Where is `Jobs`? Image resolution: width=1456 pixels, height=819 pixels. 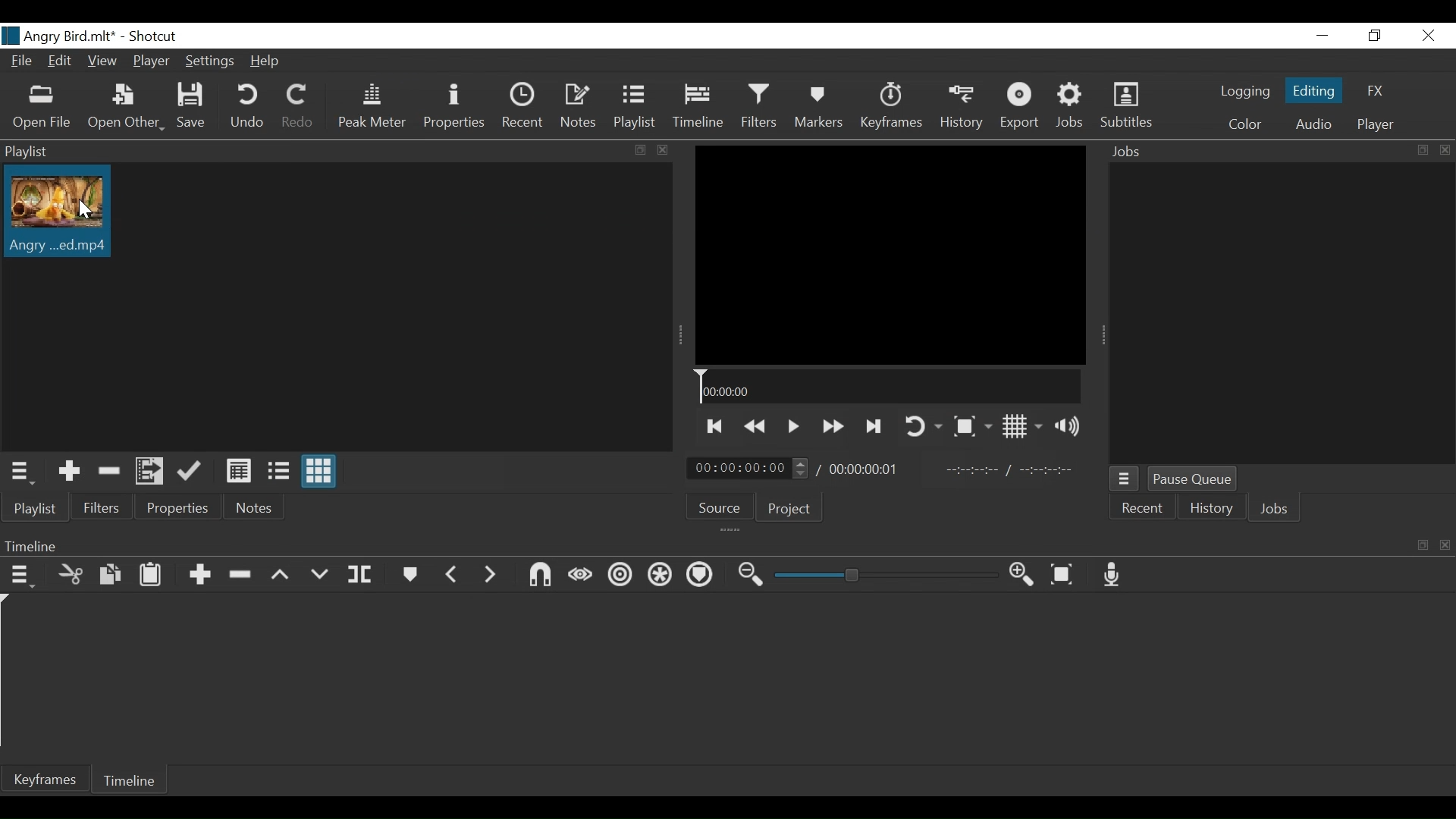
Jobs is located at coordinates (1072, 107).